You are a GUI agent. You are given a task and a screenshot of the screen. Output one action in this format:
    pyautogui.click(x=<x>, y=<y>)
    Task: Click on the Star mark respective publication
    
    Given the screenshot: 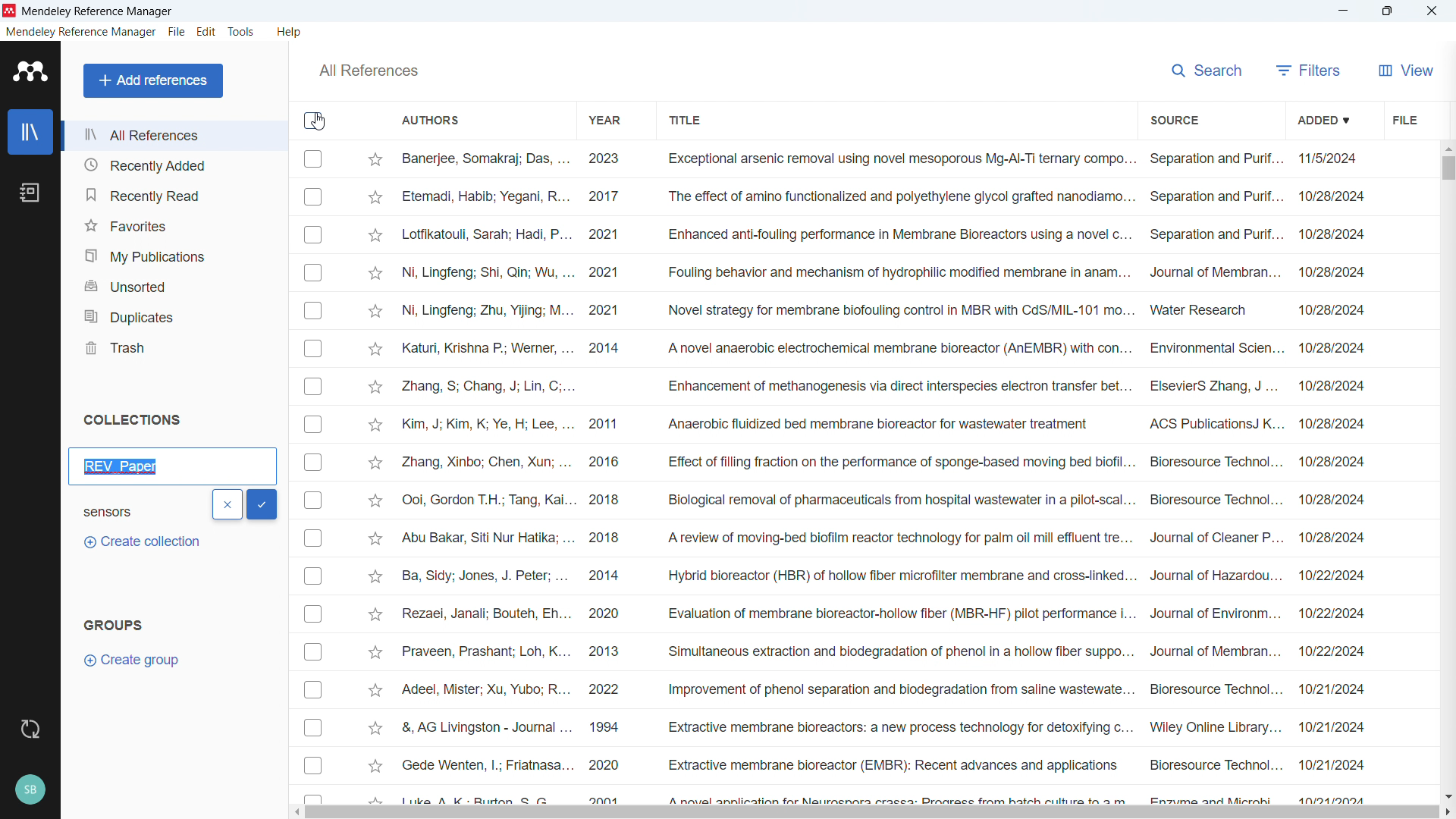 What is the action you would take?
    pyautogui.click(x=375, y=652)
    